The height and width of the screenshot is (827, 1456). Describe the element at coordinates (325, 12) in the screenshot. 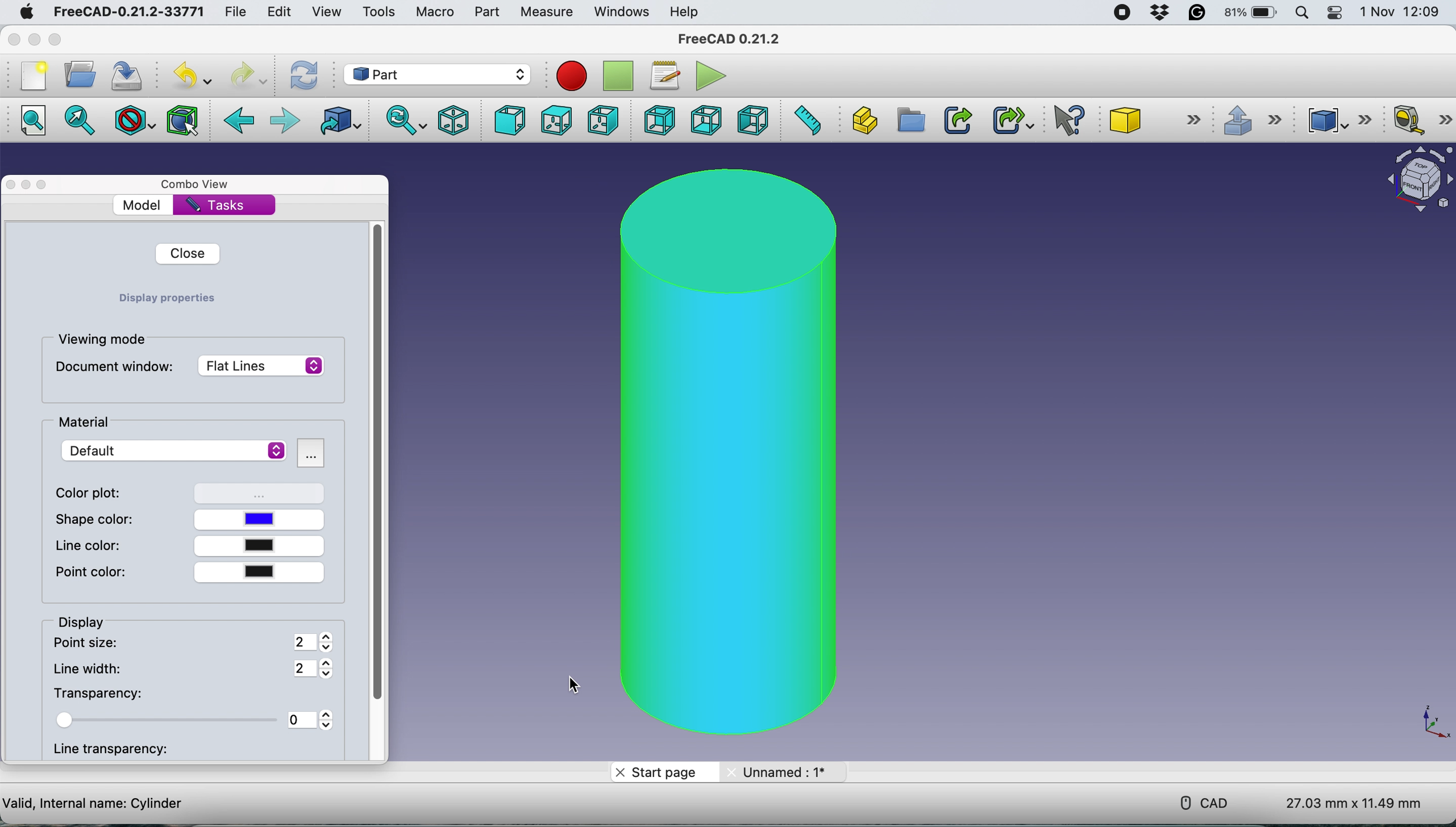

I see `view` at that location.